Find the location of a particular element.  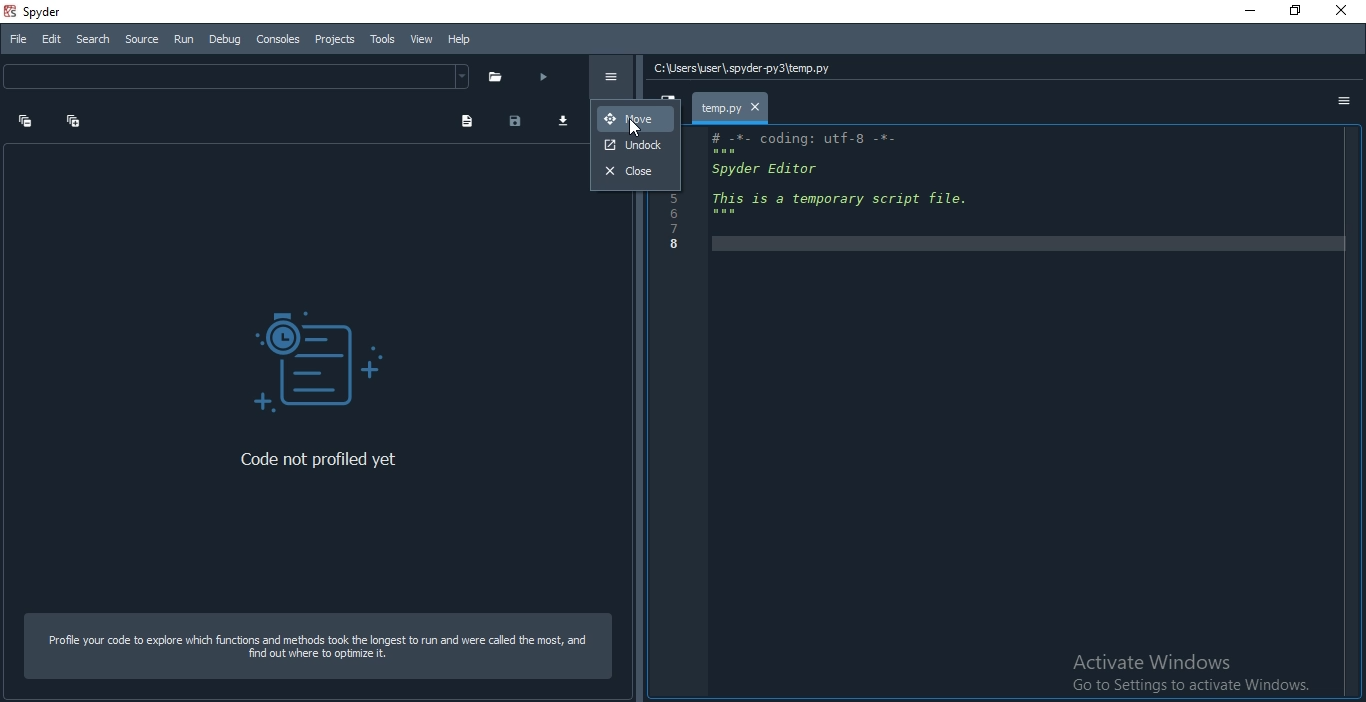

Debug is located at coordinates (225, 40).